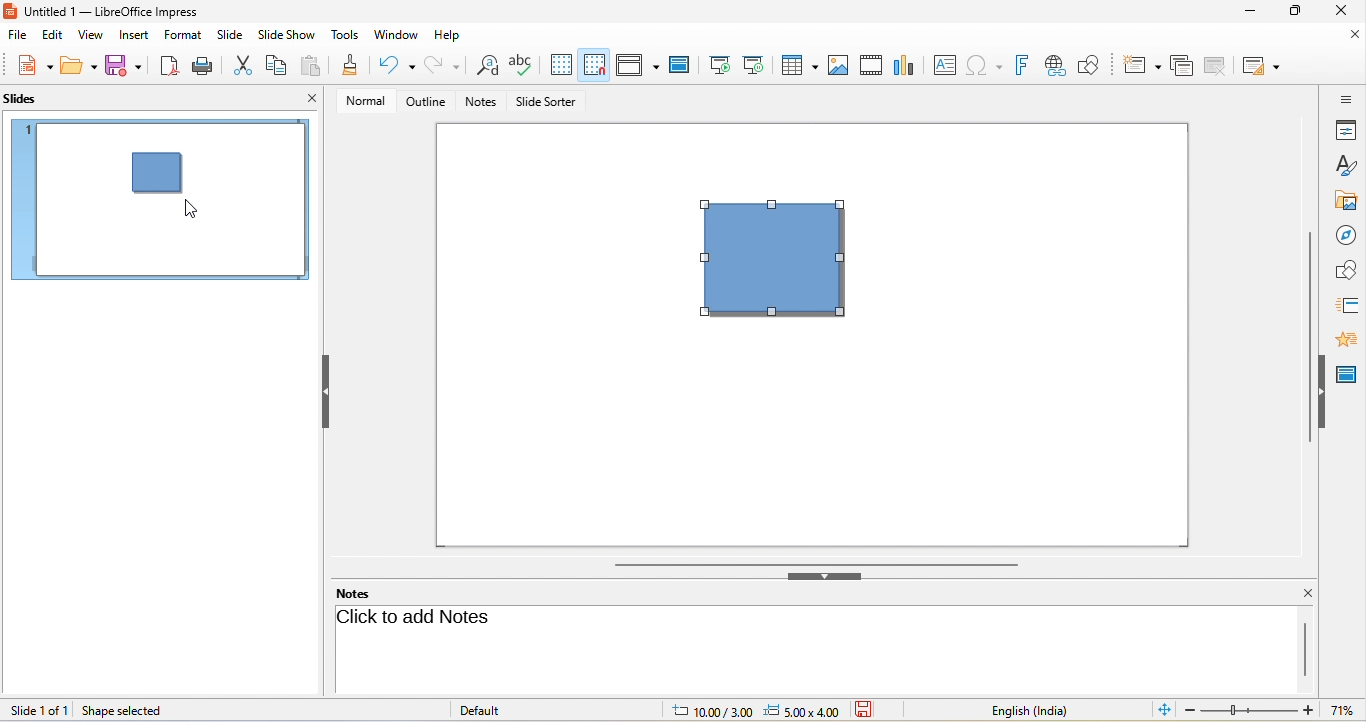  I want to click on delete slide, so click(1216, 64).